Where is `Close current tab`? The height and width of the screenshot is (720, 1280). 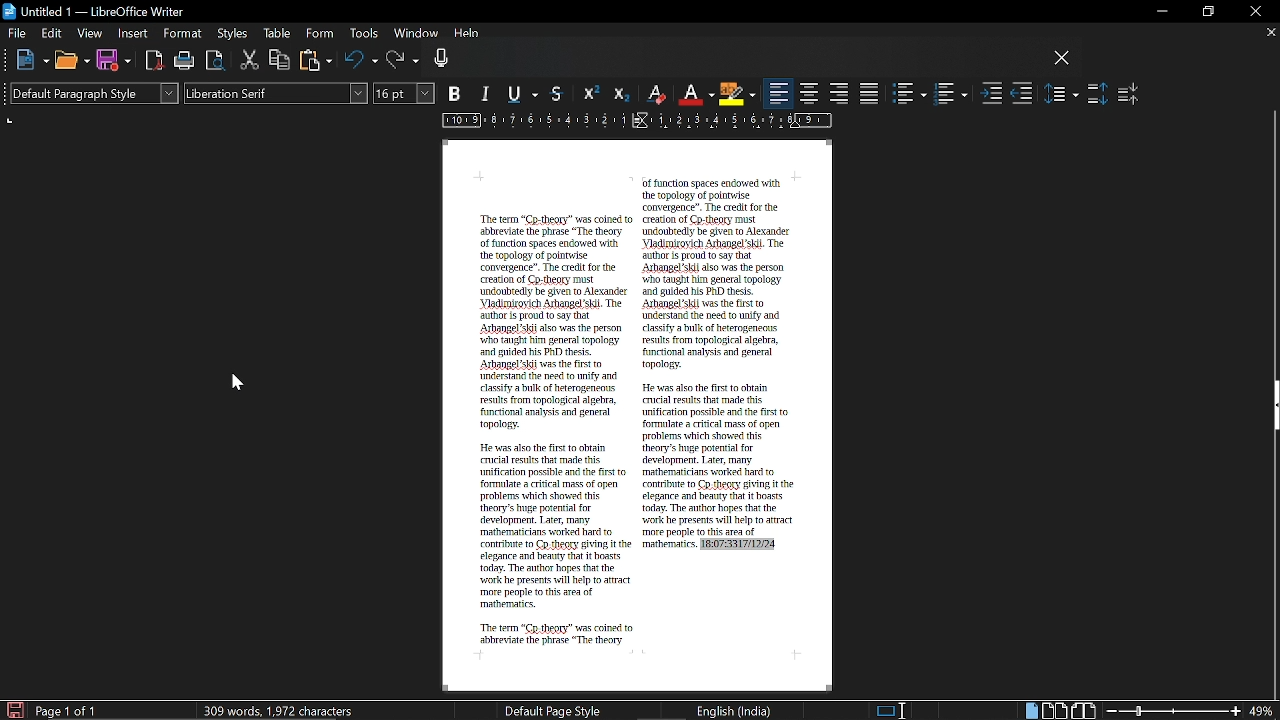 Close current tab is located at coordinates (1270, 32).